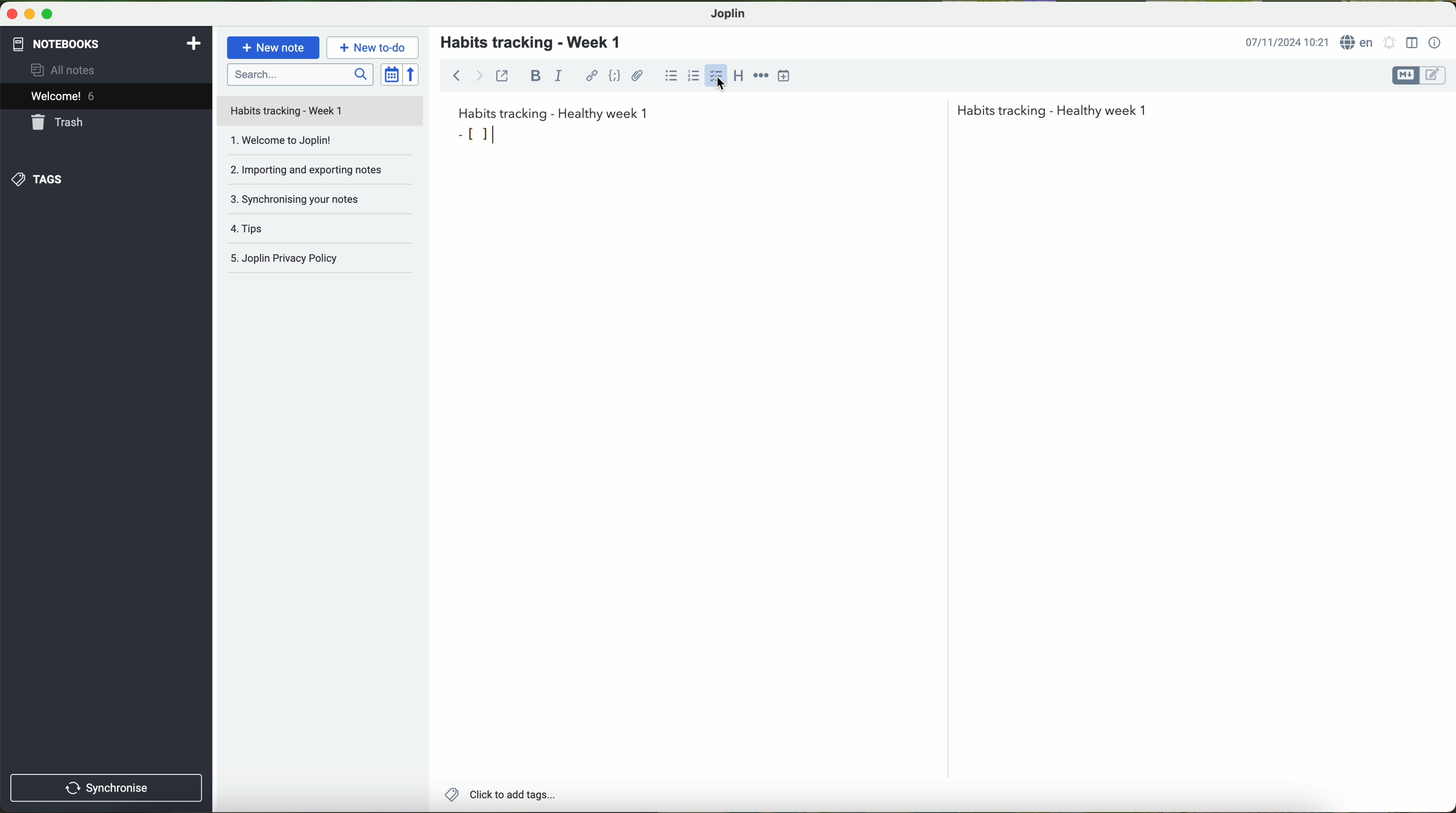 The width and height of the screenshot is (1456, 813). I want to click on welcome to Joplin, so click(319, 145).